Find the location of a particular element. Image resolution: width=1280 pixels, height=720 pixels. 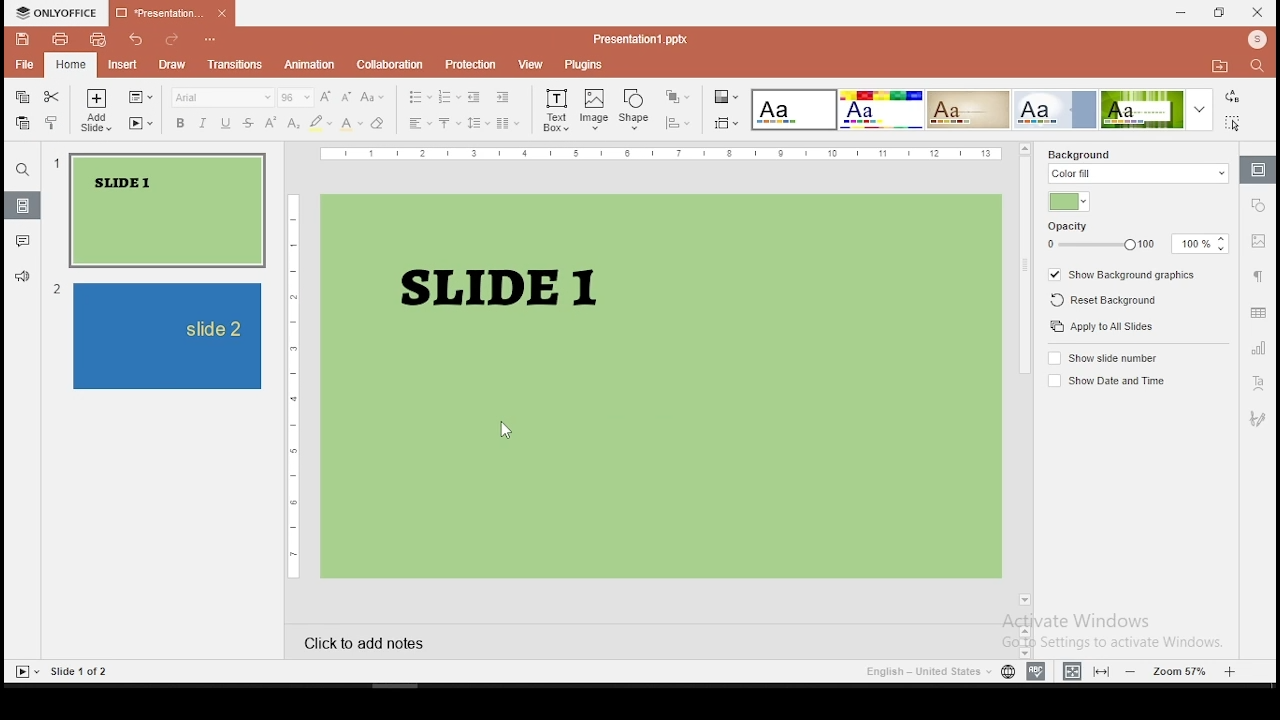

more color theme is located at coordinates (1199, 109).